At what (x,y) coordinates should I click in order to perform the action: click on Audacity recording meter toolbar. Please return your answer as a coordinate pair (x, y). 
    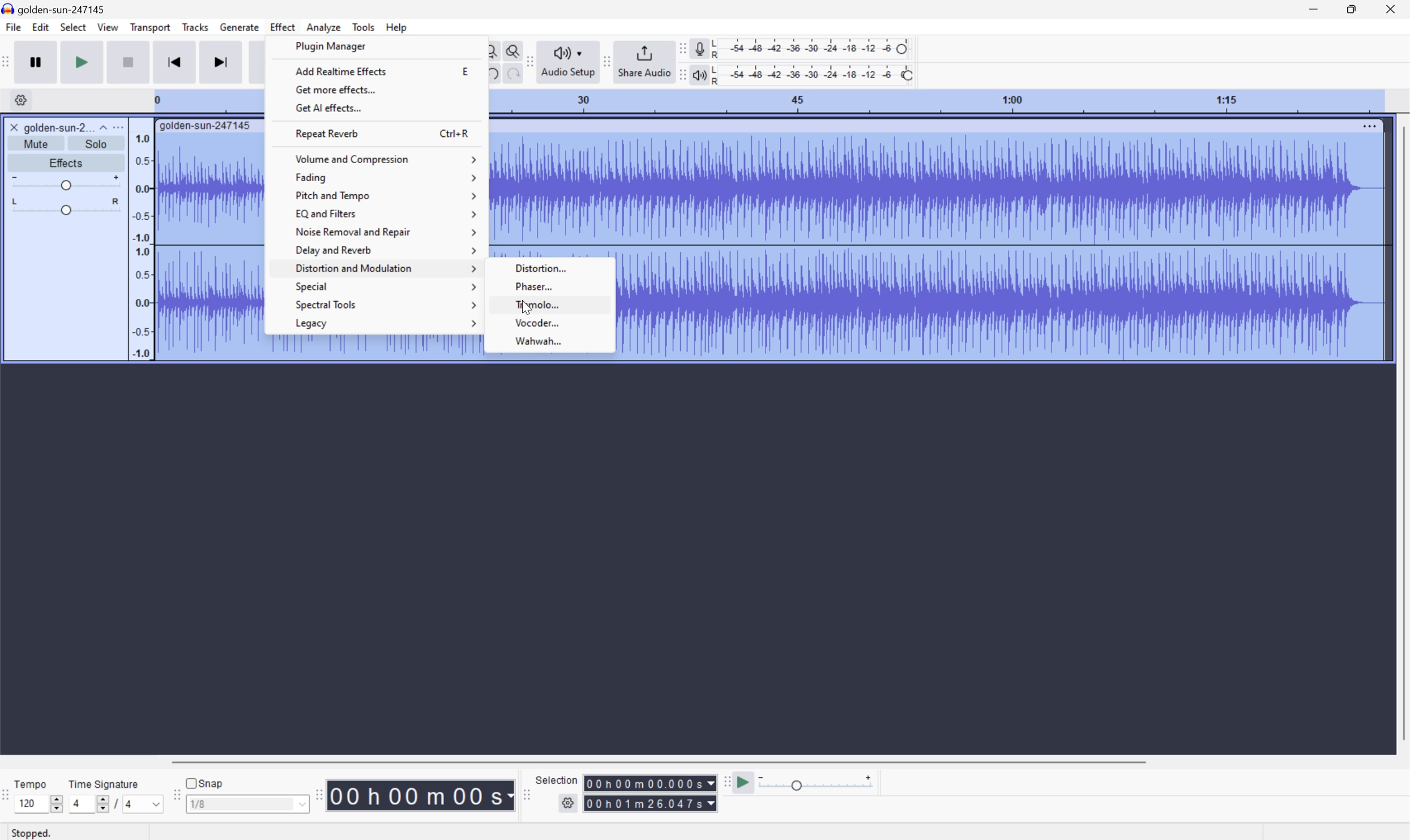
    Looking at the image, I should click on (680, 48).